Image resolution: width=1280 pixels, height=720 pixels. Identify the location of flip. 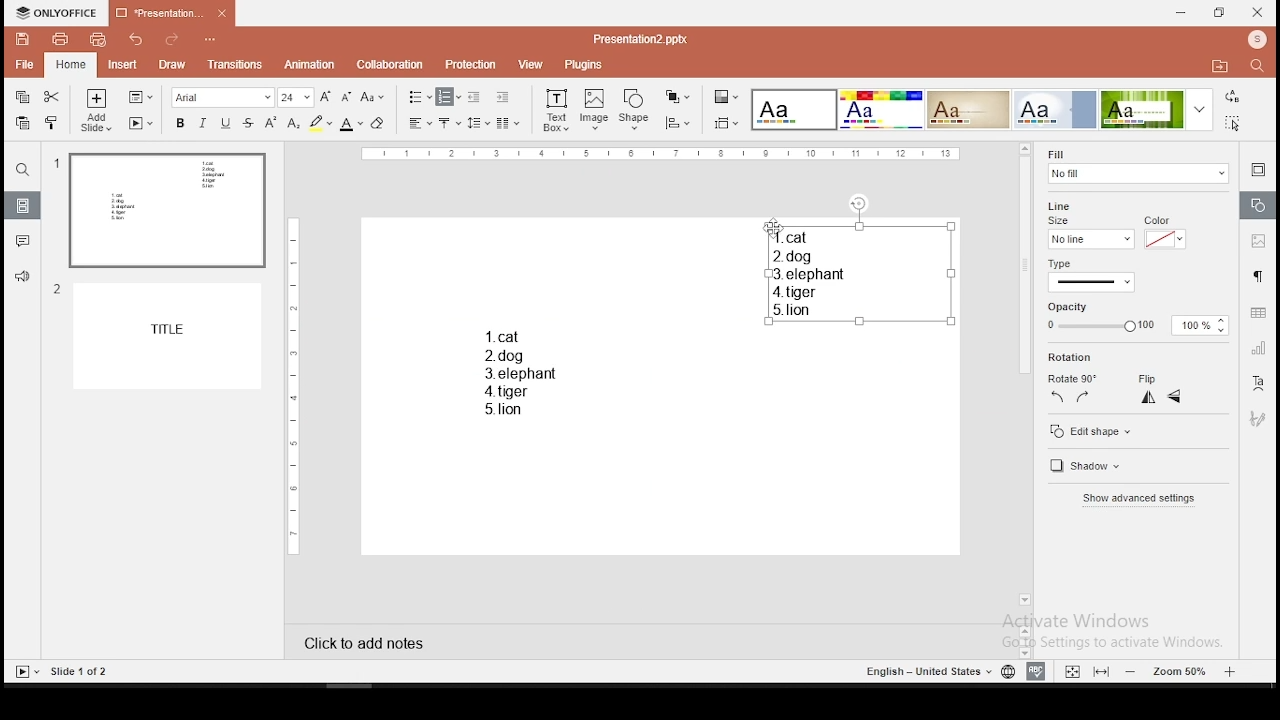
(1150, 375).